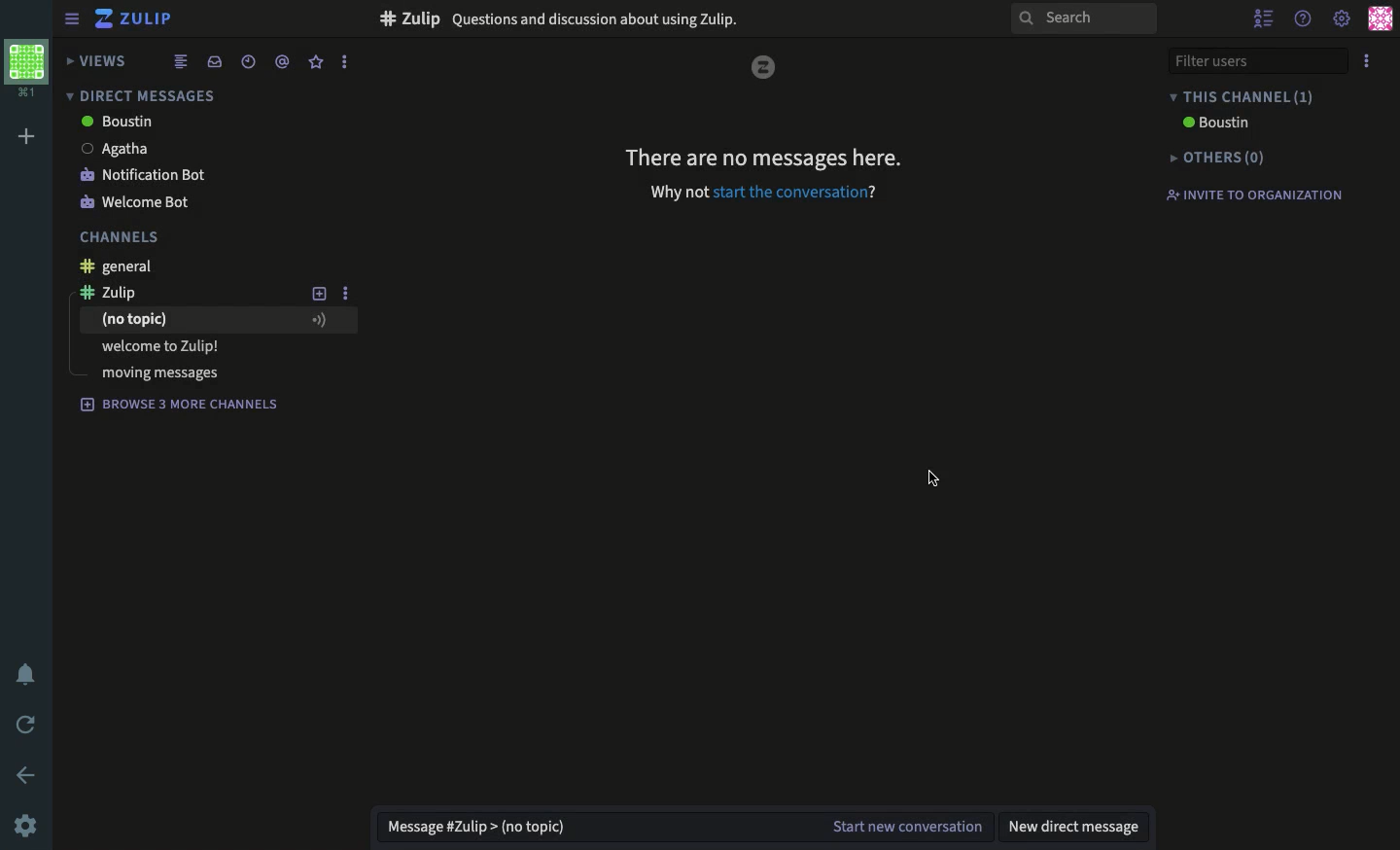 The height and width of the screenshot is (850, 1400). Describe the element at coordinates (316, 62) in the screenshot. I see `favorite` at that location.